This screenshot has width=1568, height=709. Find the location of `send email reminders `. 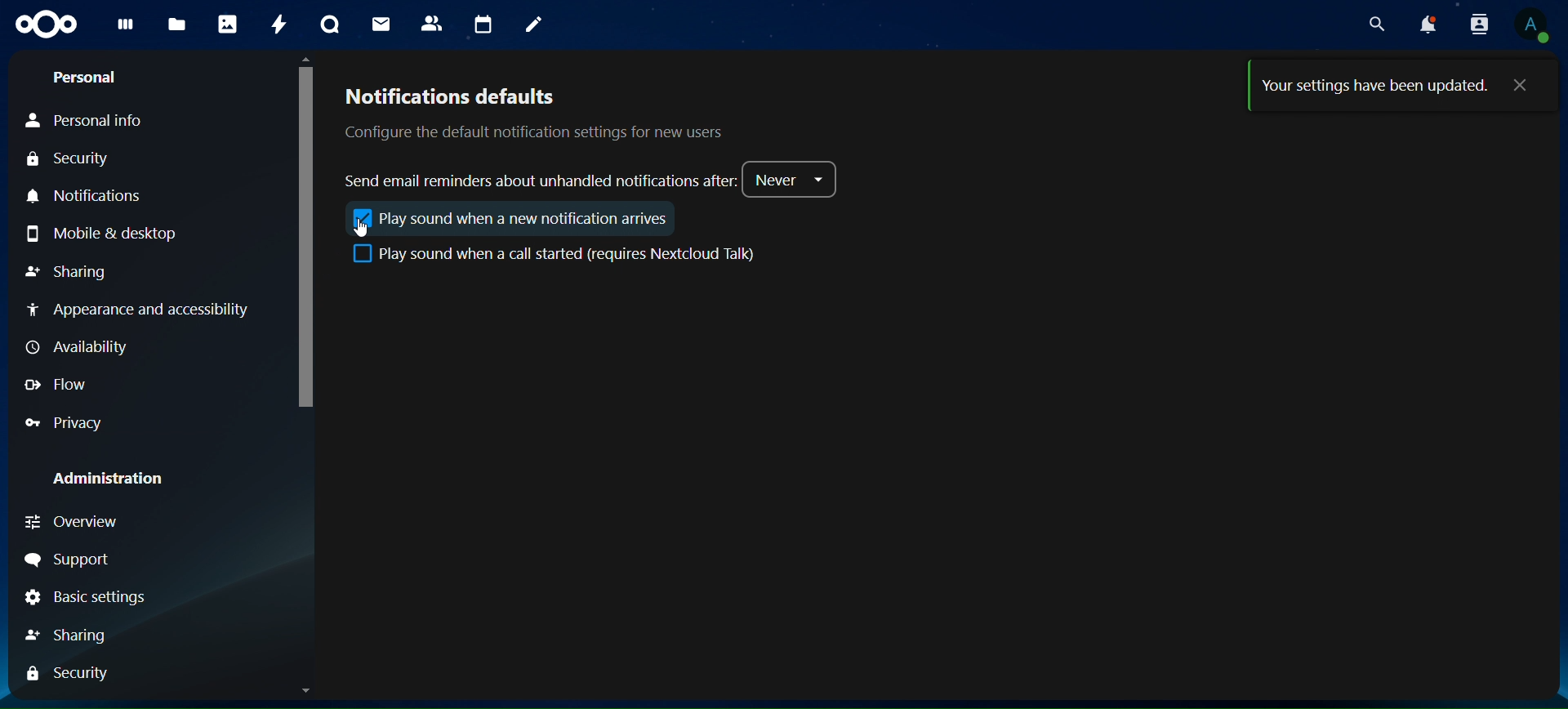

send email reminders  is located at coordinates (540, 181).